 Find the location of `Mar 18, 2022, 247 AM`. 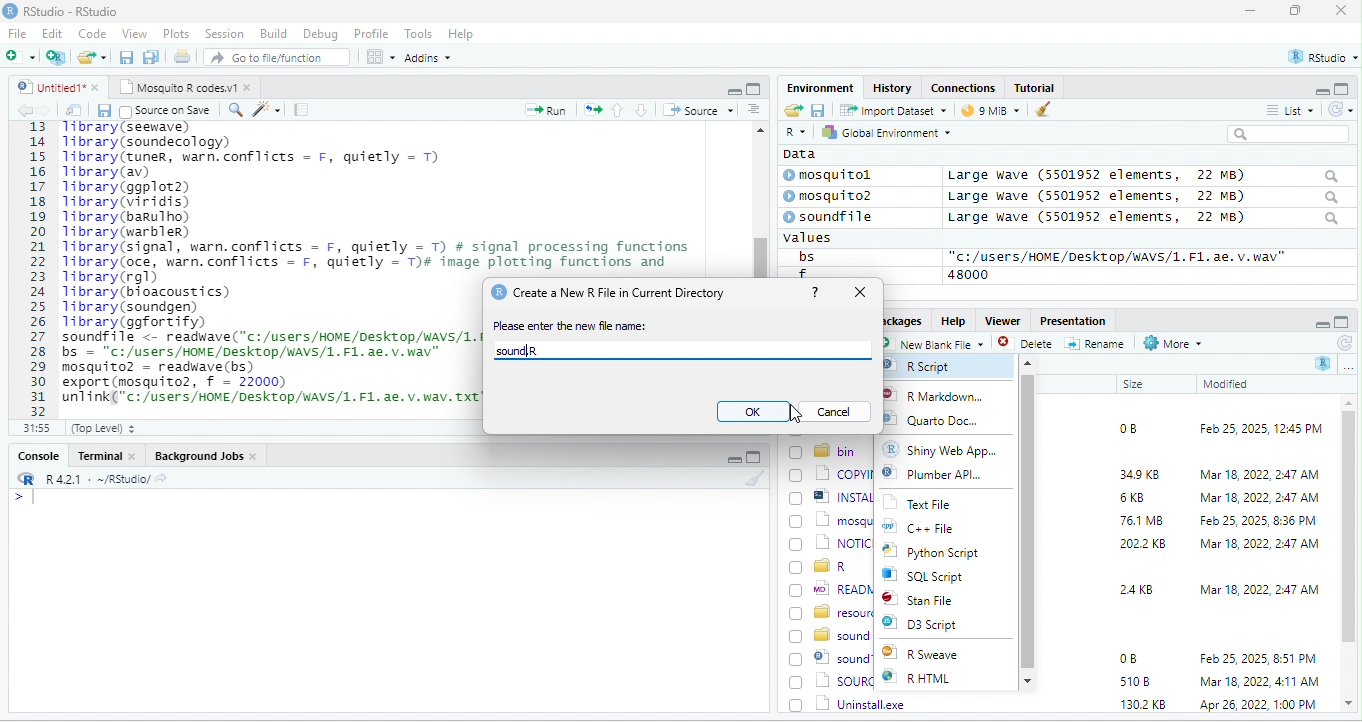

Mar 18, 2022, 247 AM is located at coordinates (1260, 474).